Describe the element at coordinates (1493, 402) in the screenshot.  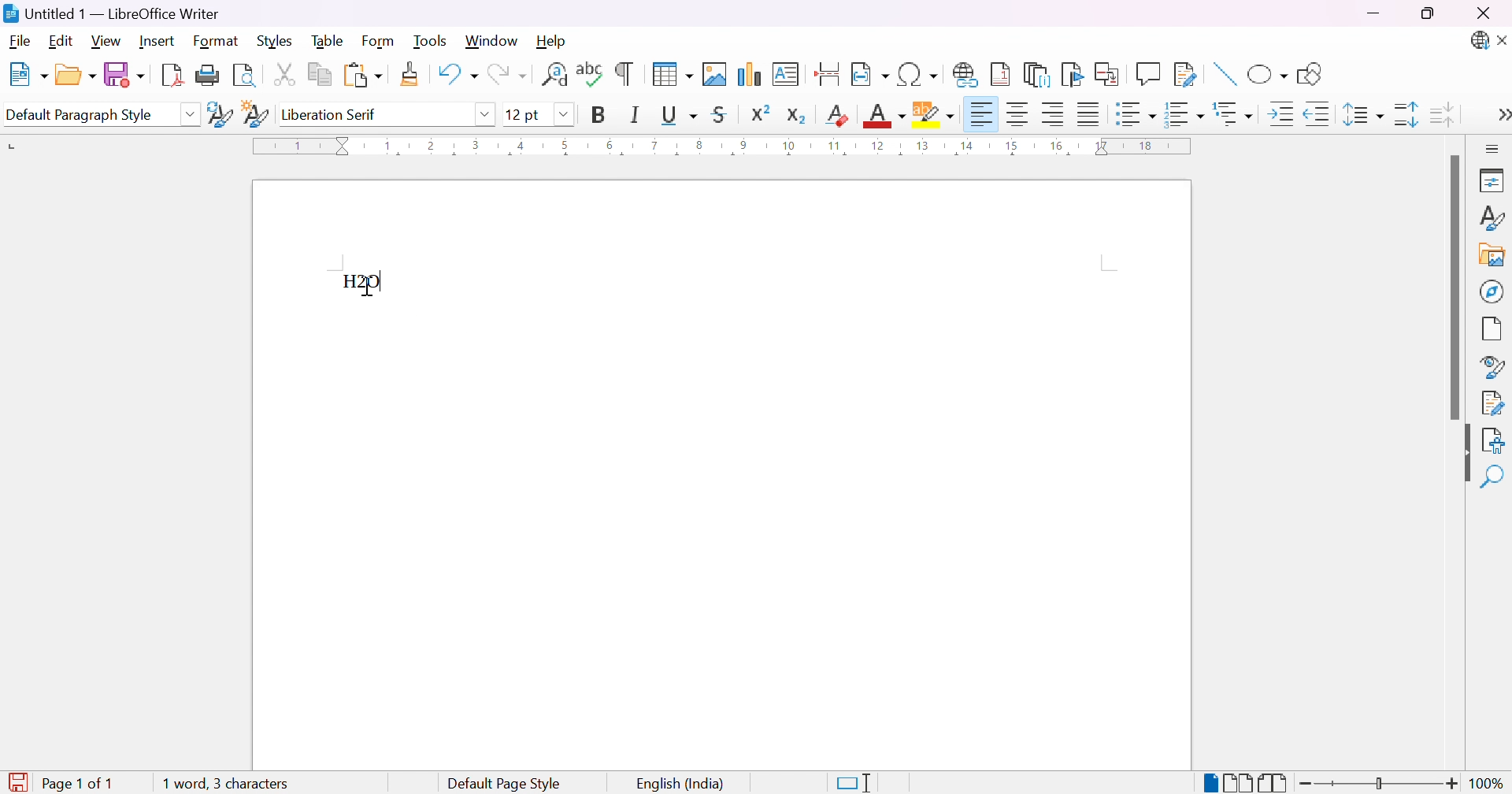
I see `Manage check` at that location.